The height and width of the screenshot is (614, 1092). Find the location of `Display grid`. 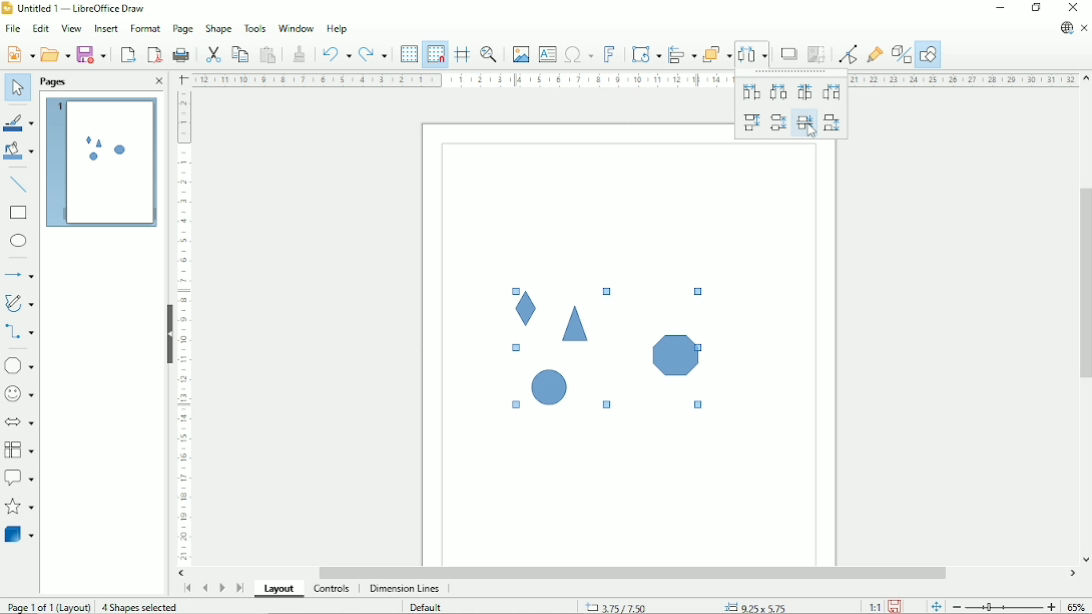

Display grid is located at coordinates (408, 54).